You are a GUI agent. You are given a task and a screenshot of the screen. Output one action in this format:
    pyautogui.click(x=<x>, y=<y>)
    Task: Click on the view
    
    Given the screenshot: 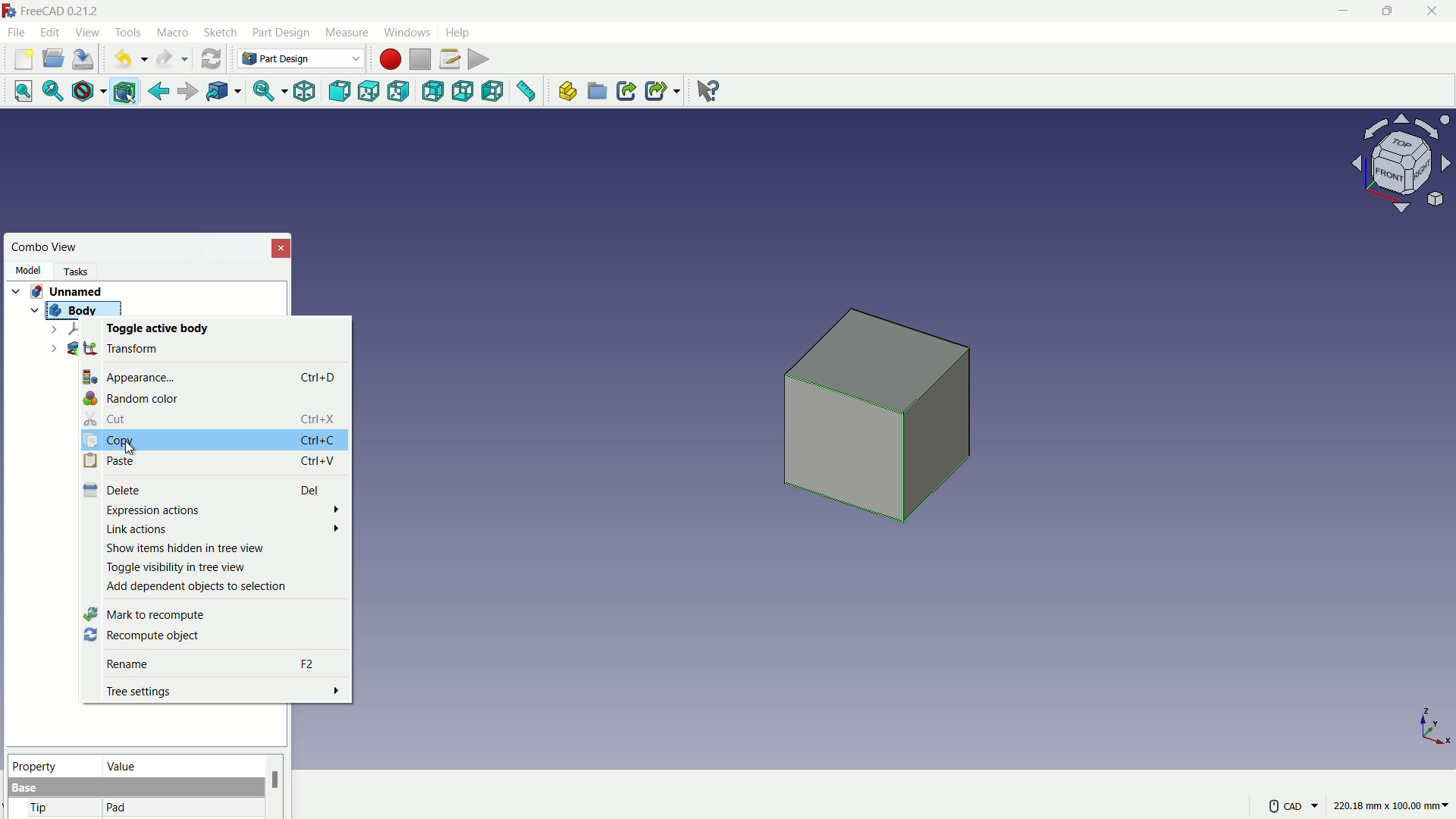 What is the action you would take?
    pyautogui.click(x=86, y=32)
    